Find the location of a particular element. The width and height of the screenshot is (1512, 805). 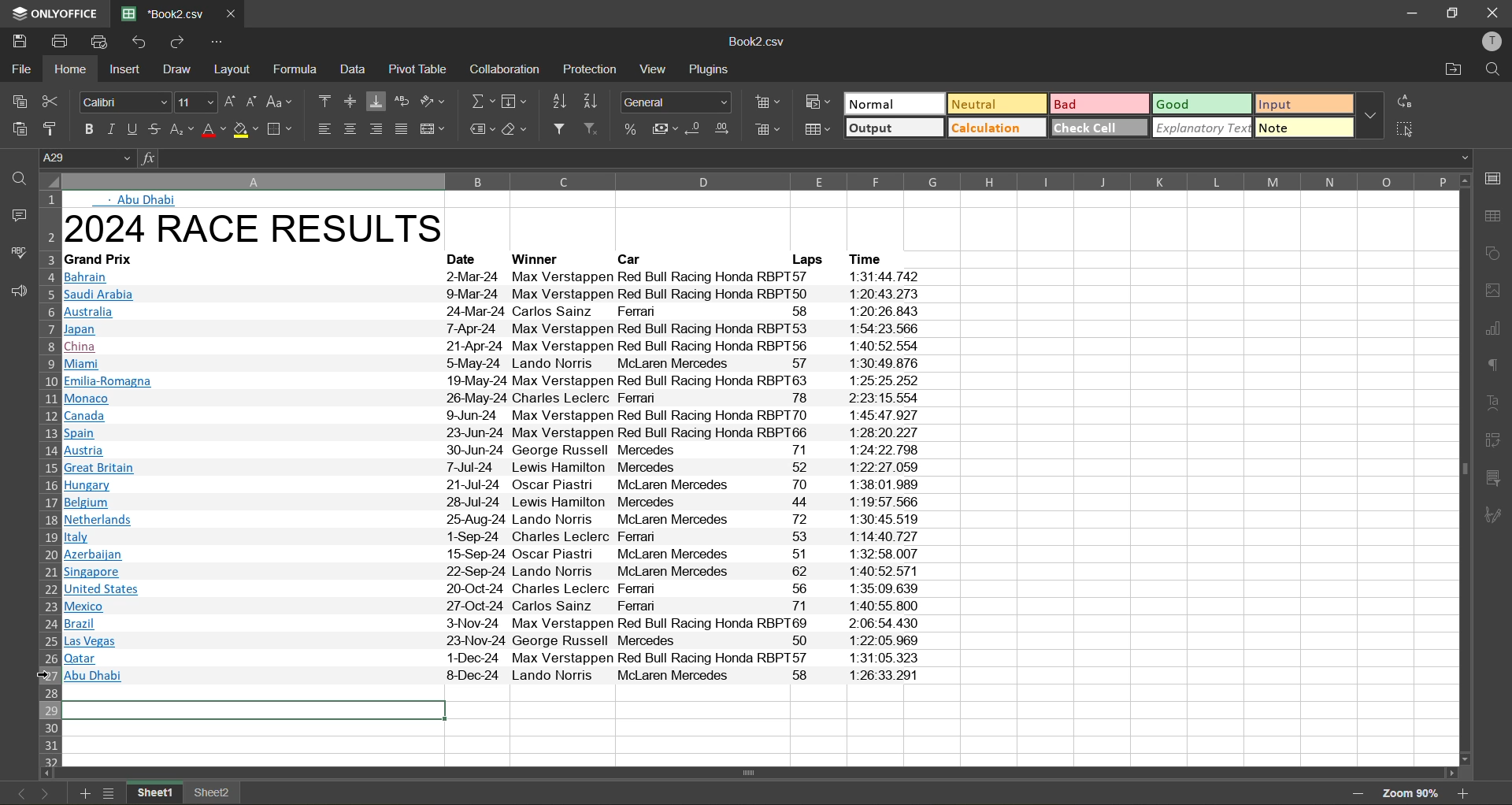

redo is located at coordinates (175, 41).